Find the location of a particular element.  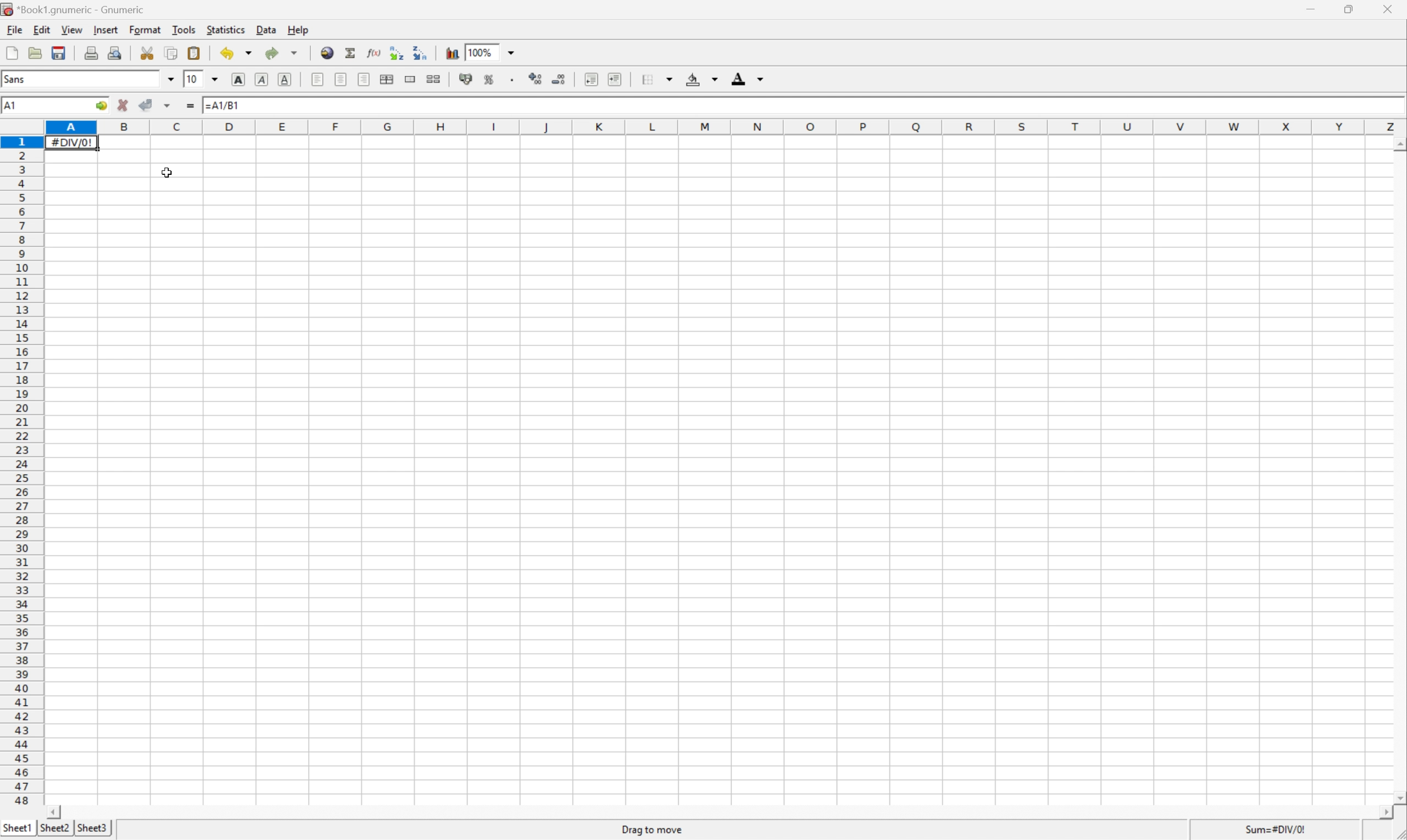

Drop down is located at coordinates (297, 53).